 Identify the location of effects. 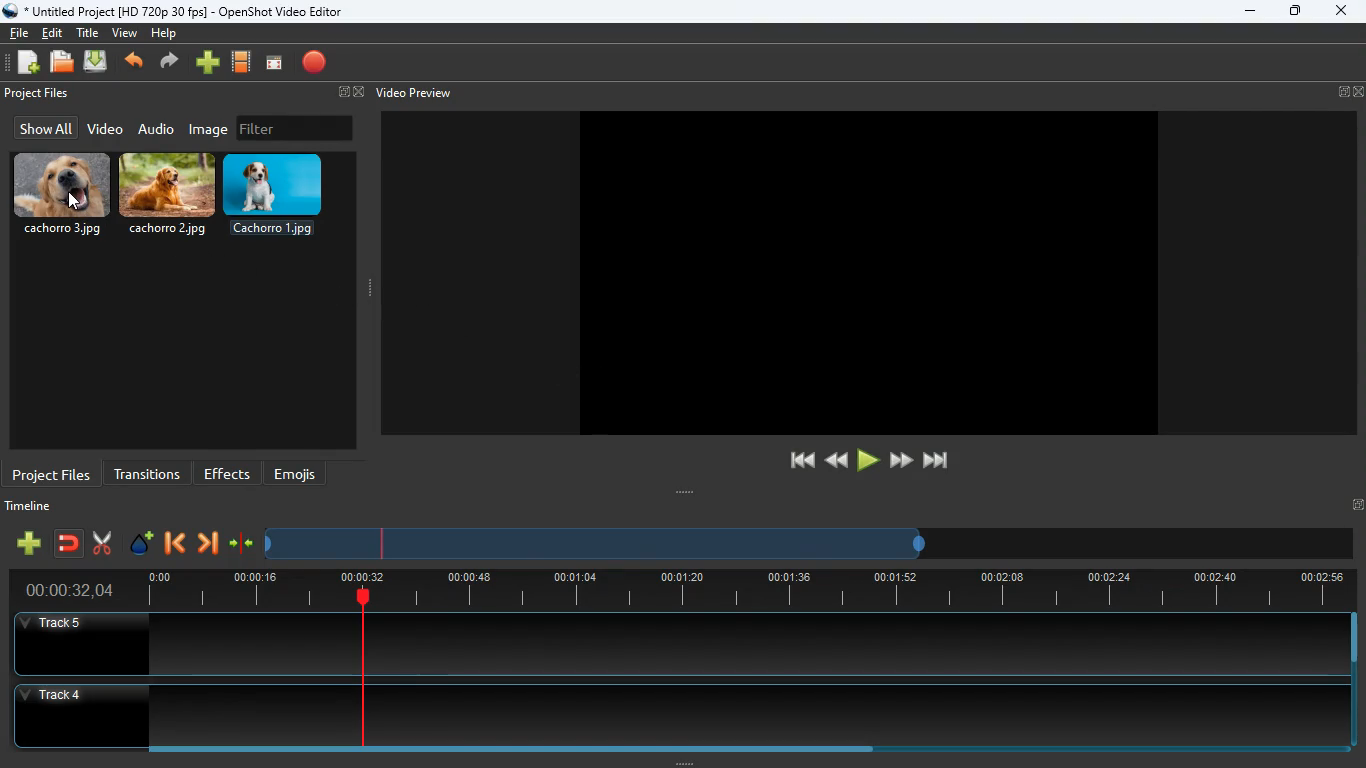
(228, 473).